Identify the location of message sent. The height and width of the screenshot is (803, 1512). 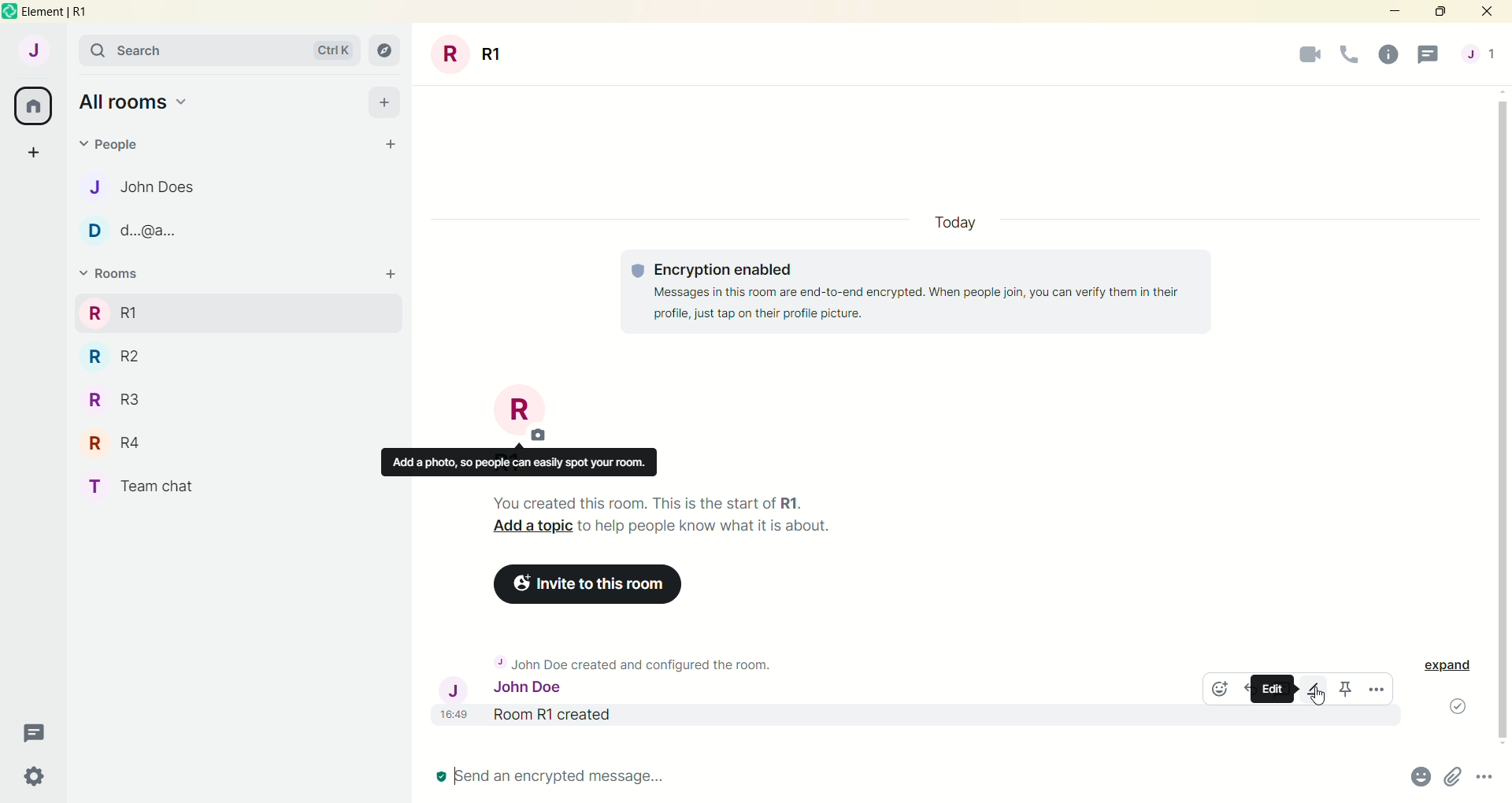
(1448, 707).